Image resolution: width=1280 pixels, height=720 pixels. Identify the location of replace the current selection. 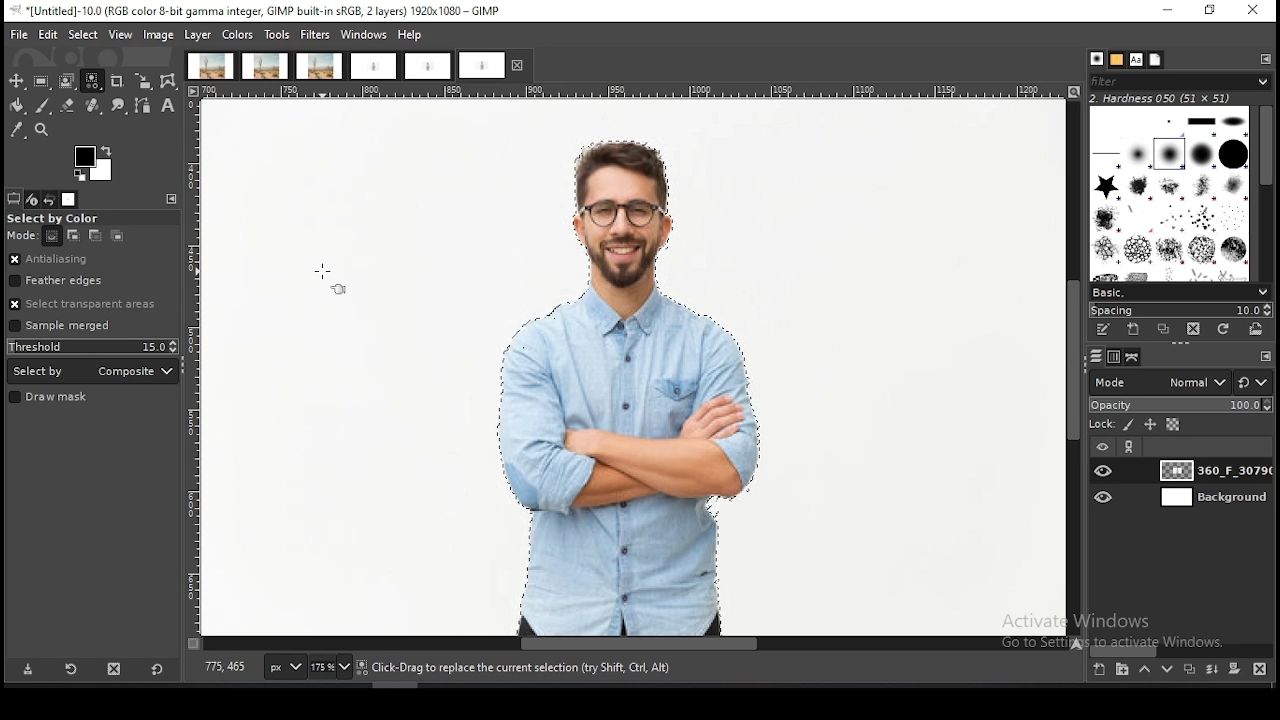
(52, 237).